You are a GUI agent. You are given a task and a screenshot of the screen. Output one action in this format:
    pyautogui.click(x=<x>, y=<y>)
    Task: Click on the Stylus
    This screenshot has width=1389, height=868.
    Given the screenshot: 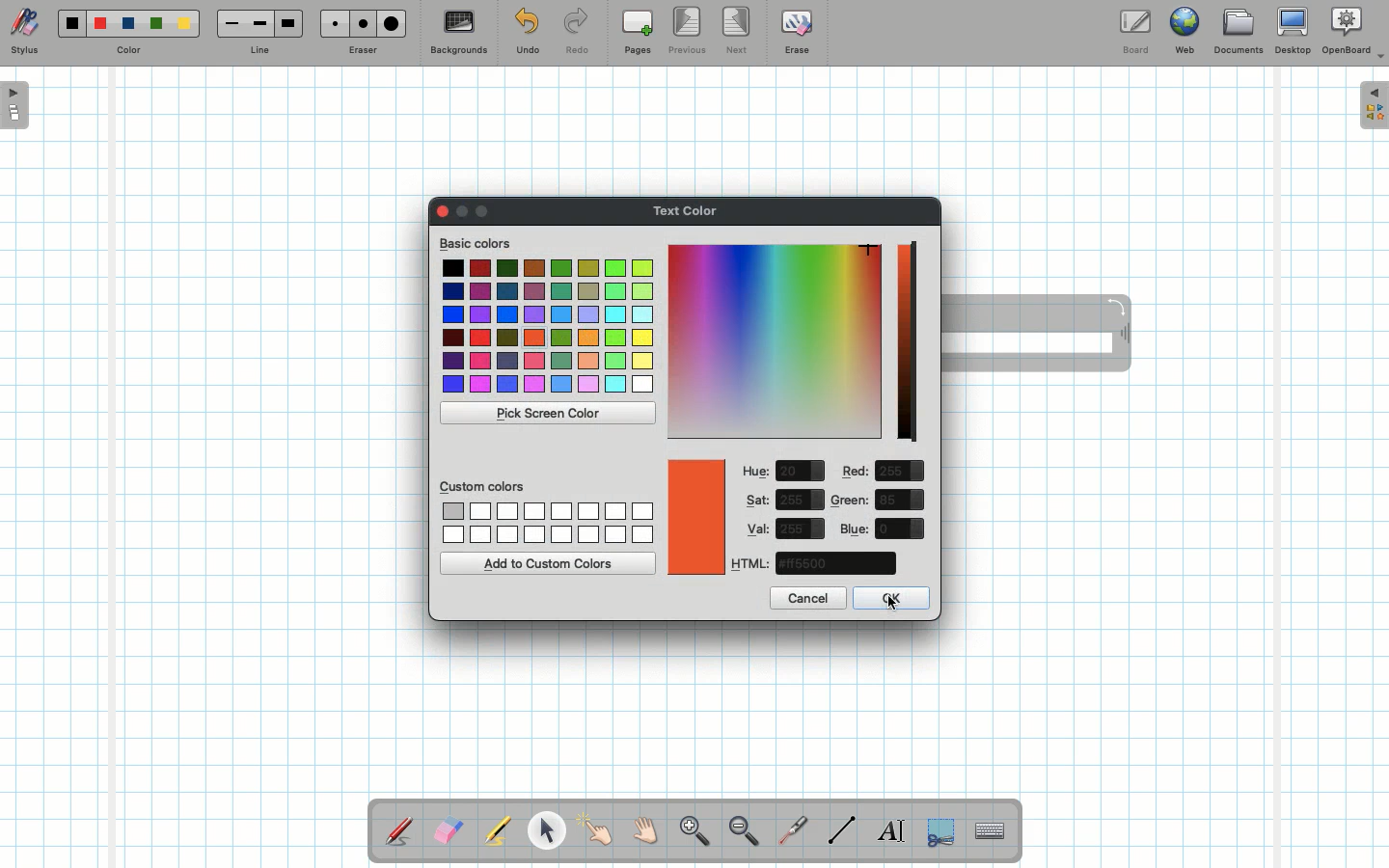 What is the action you would take?
    pyautogui.click(x=400, y=830)
    